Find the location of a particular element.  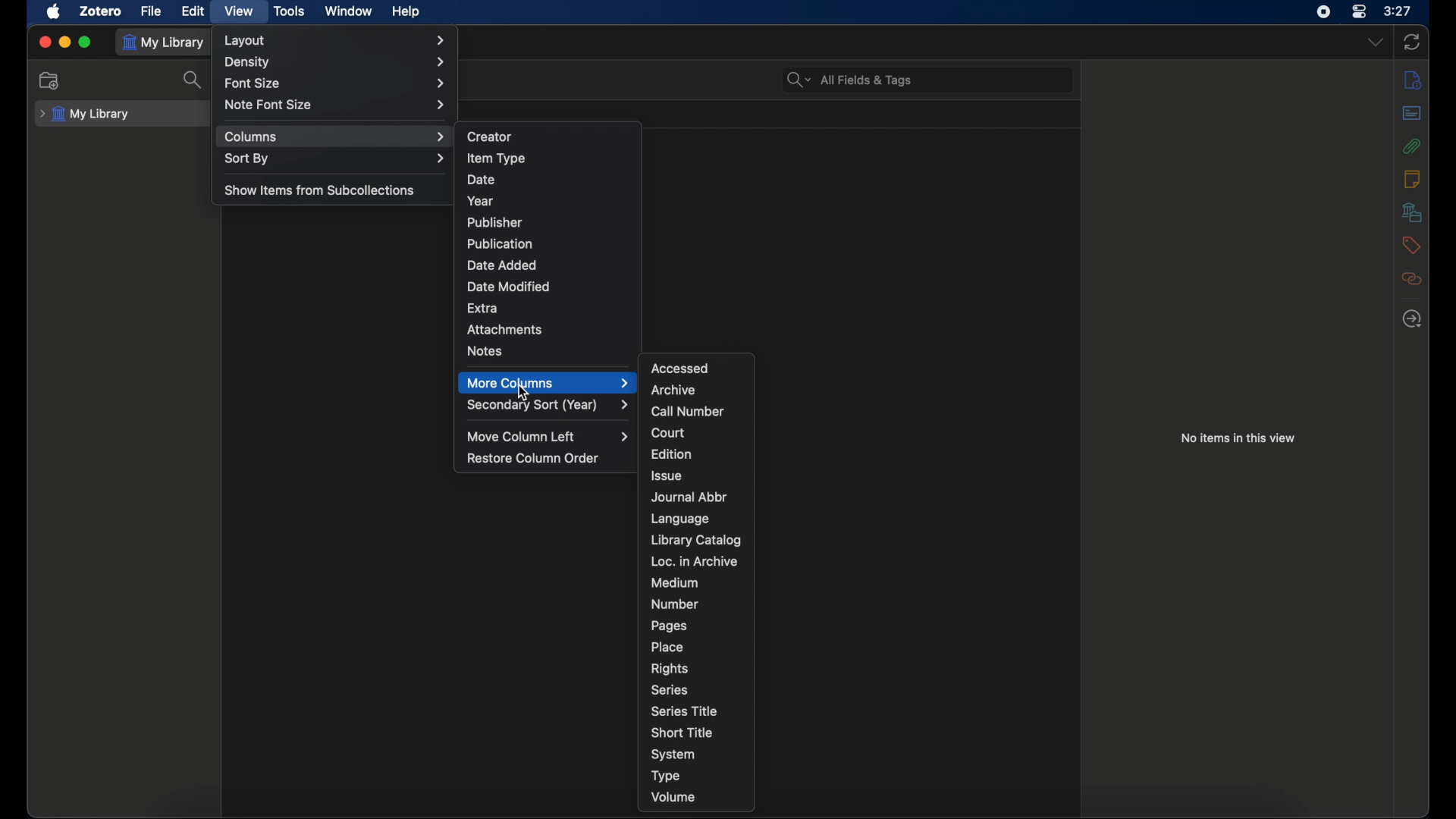

notes is located at coordinates (485, 350).